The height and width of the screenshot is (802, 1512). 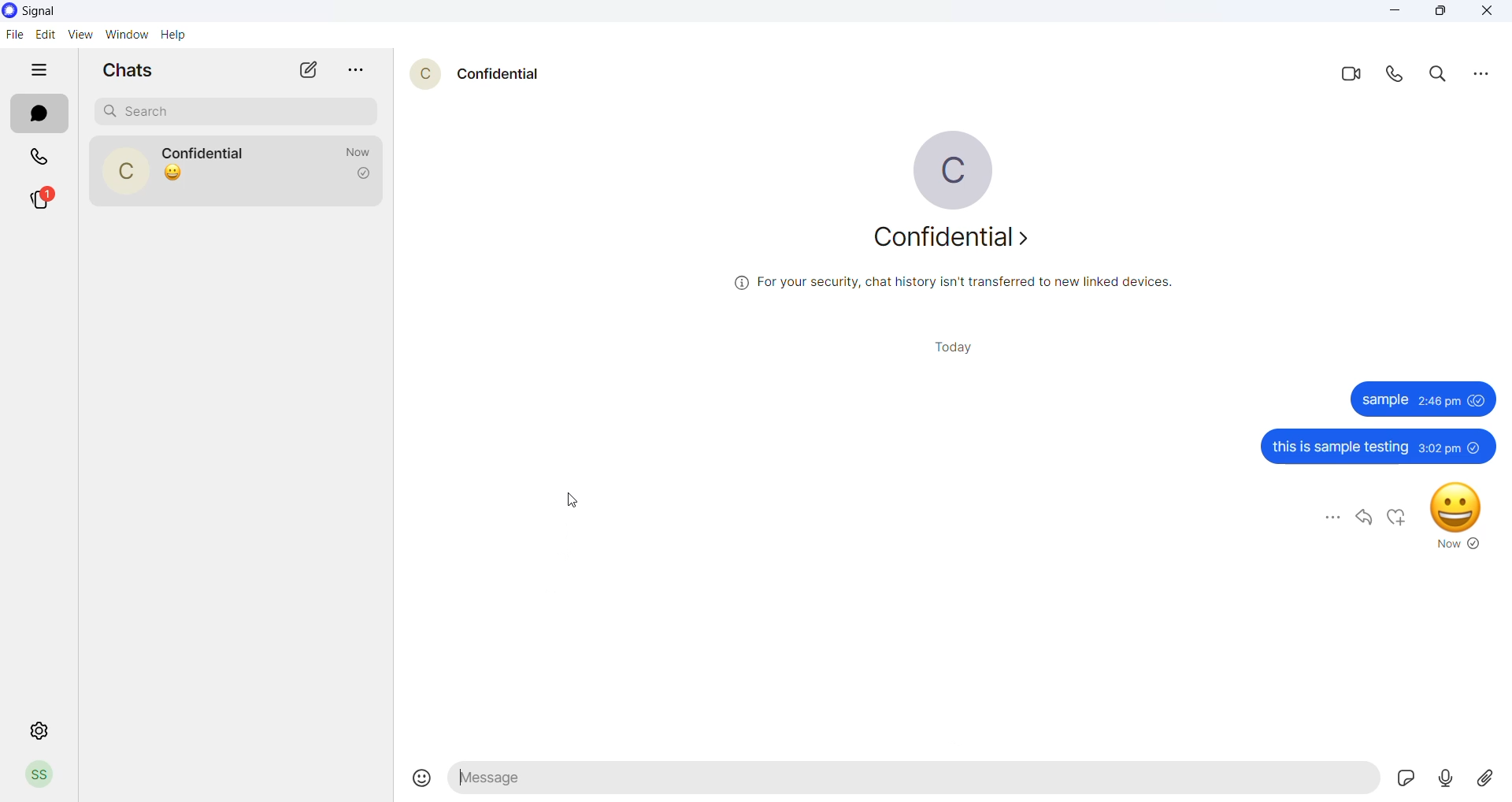 I want to click on emojis, so click(x=418, y=779).